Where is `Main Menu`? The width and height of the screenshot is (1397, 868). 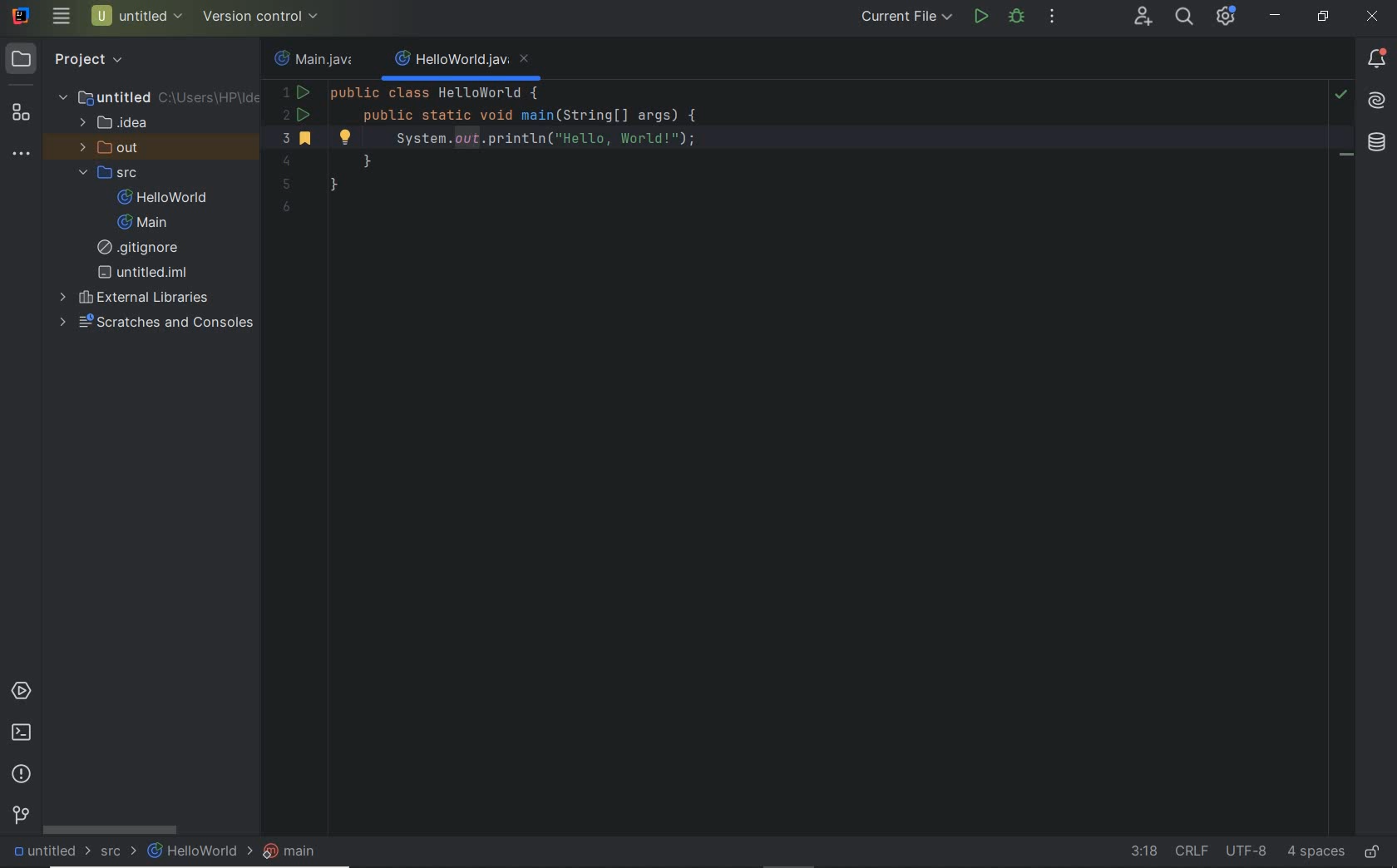 Main Menu is located at coordinates (61, 16).